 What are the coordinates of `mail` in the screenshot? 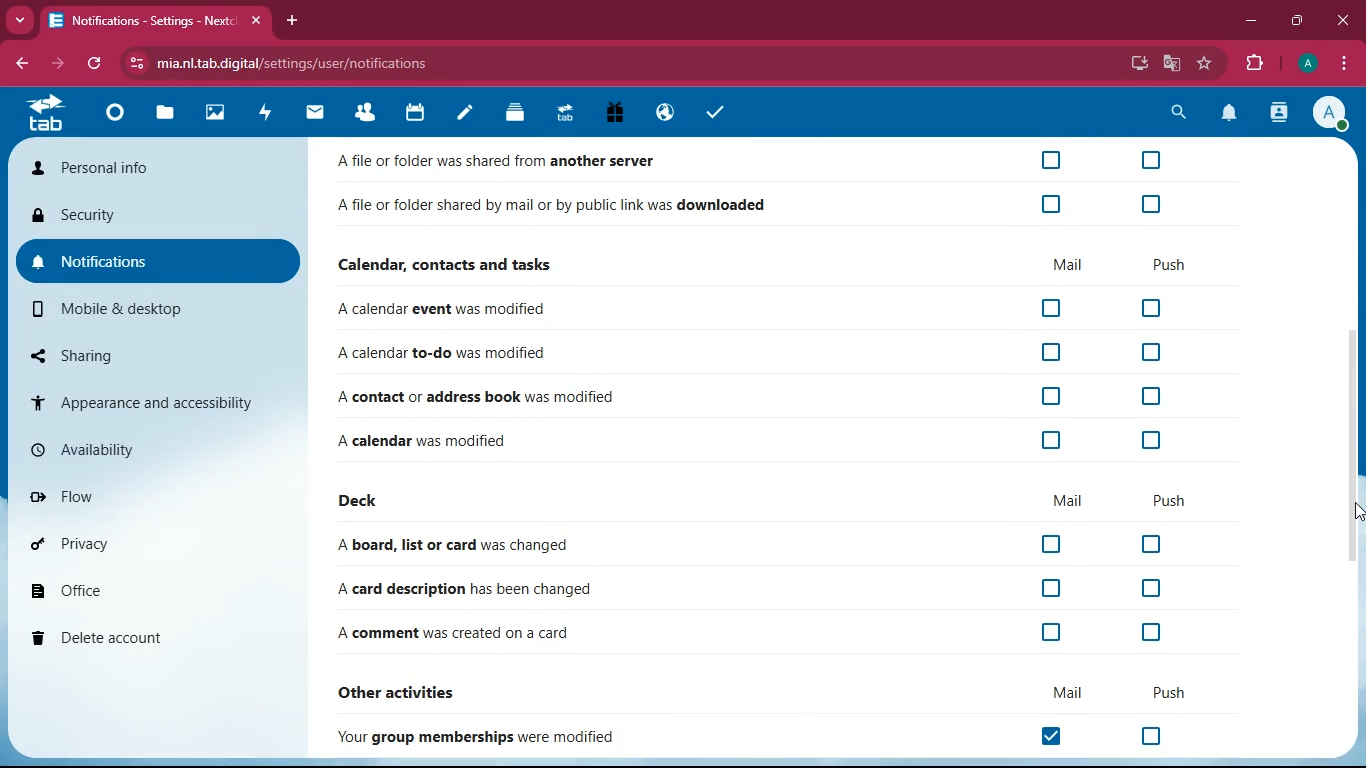 It's located at (1054, 693).